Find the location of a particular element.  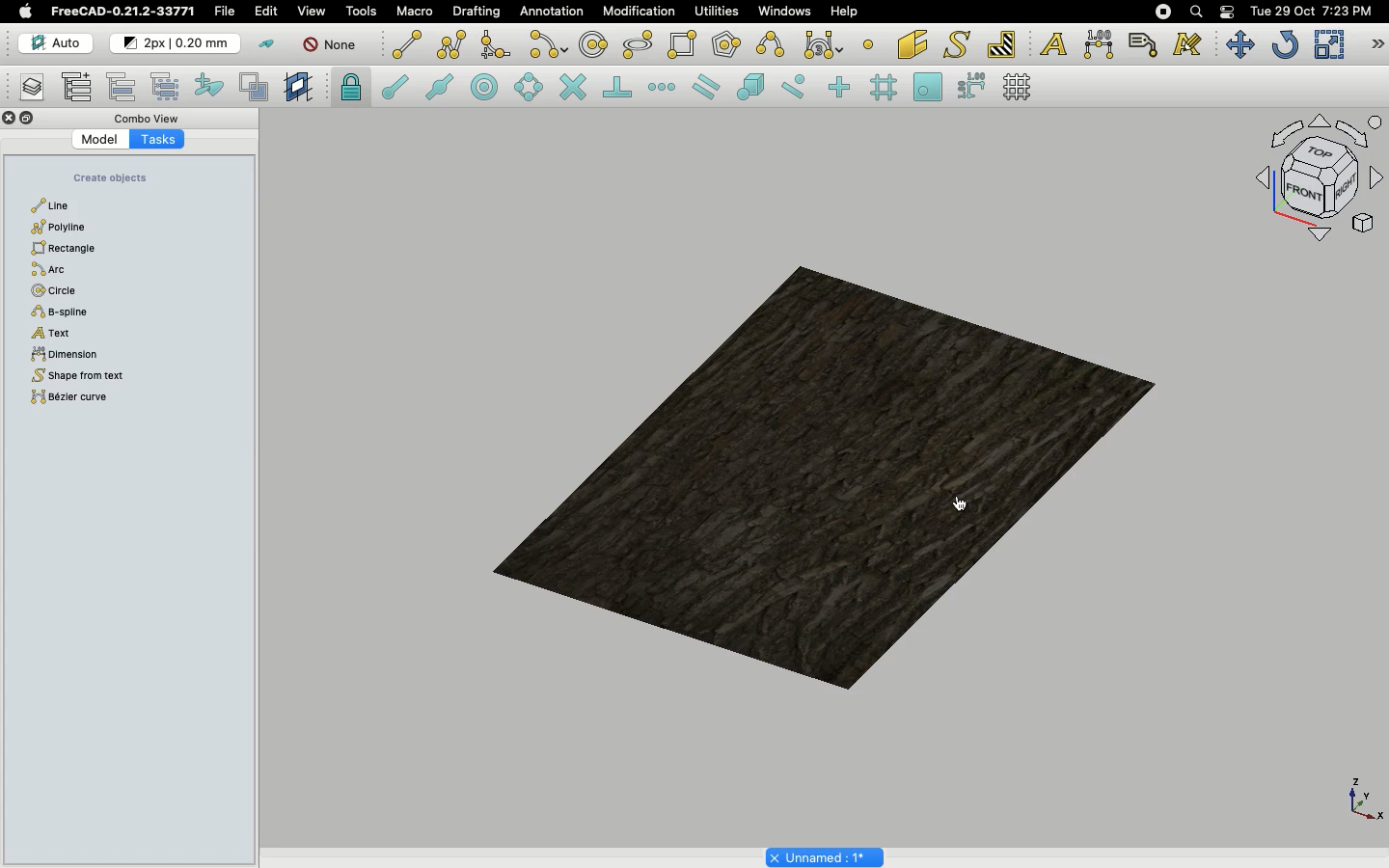

Dimension is located at coordinates (1097, 43).